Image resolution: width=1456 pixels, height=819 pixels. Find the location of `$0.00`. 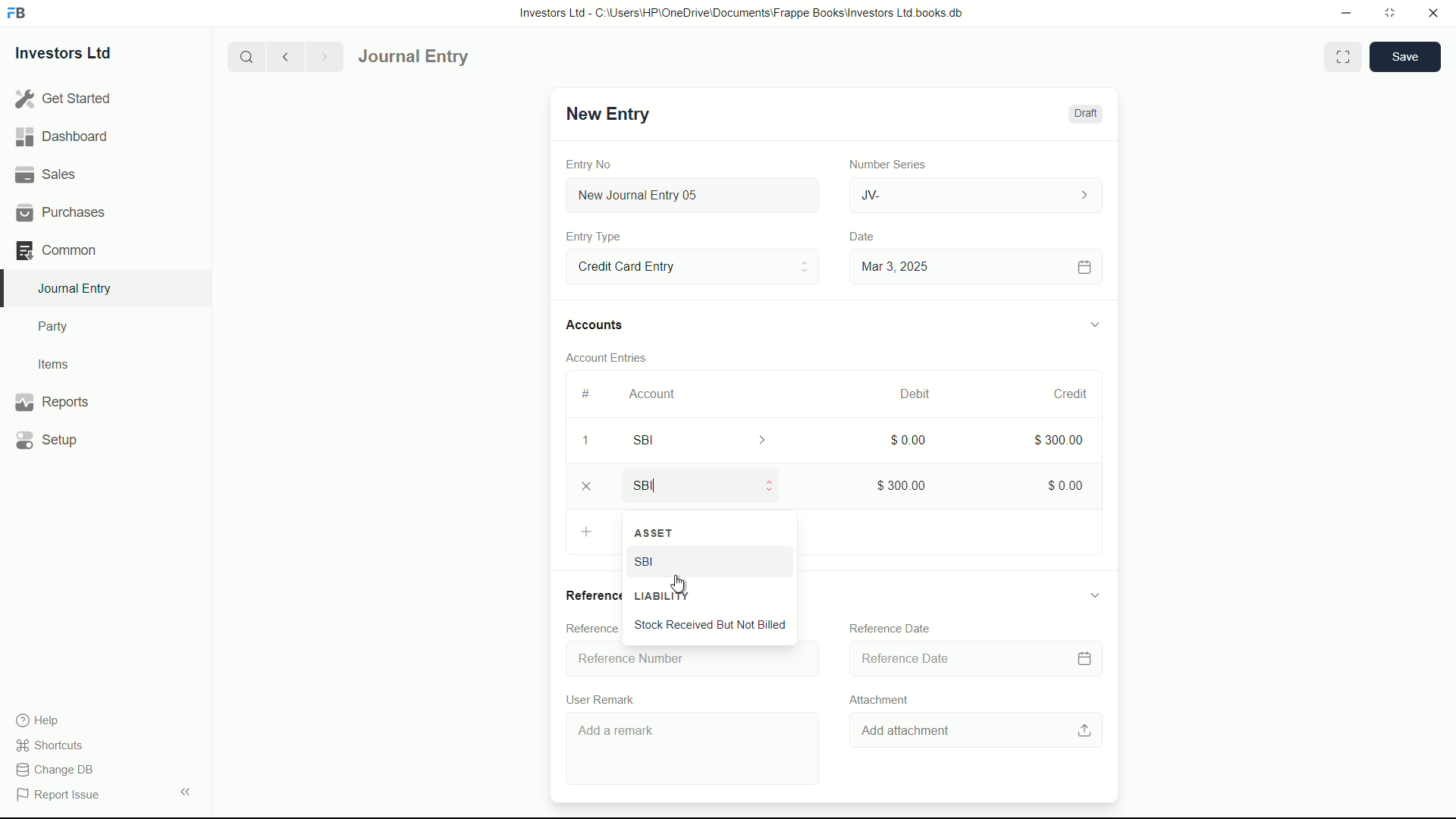

$0.00 is located at coordinates (901, 439).